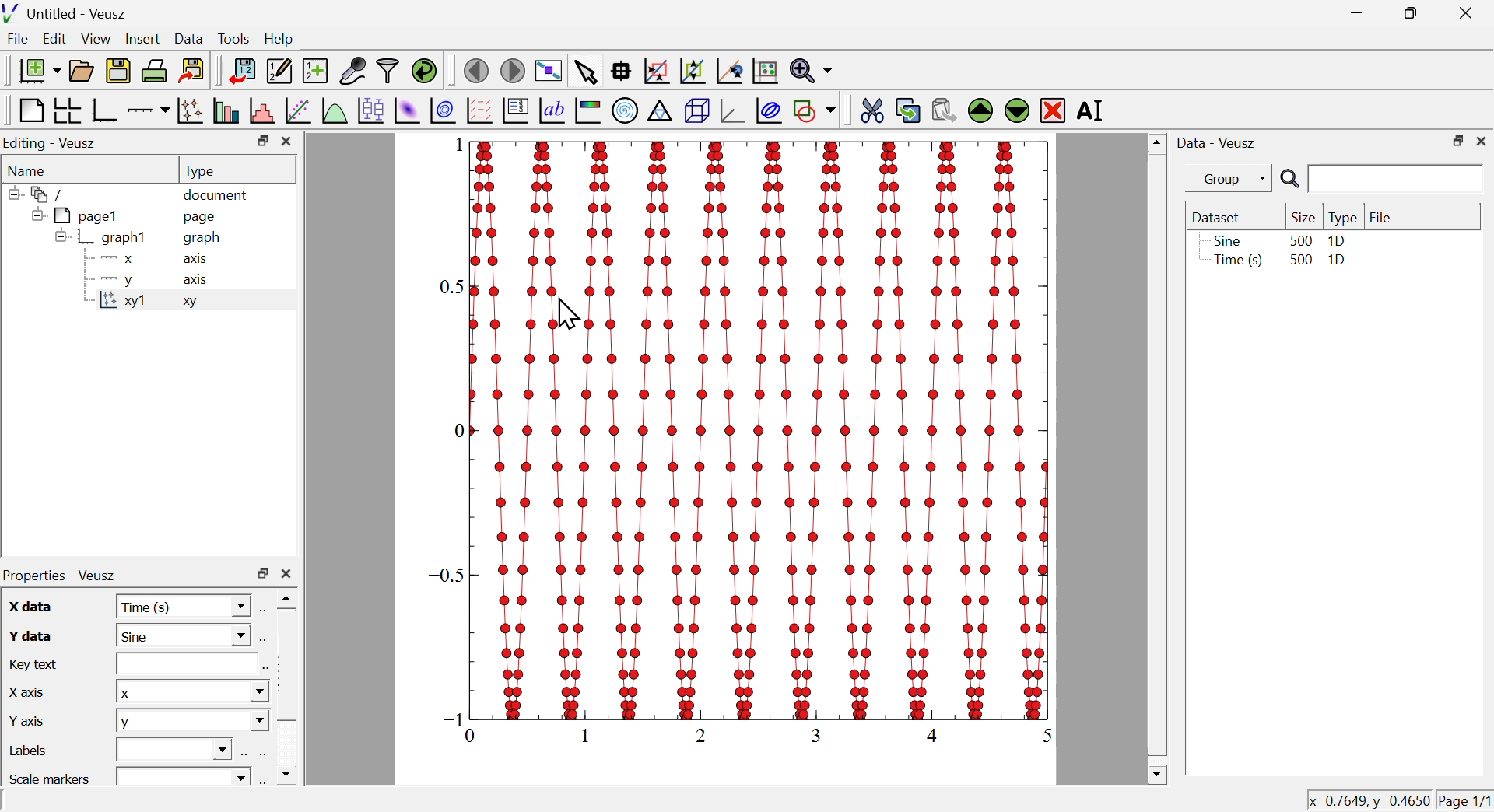 The width and height of the screenshot is (1494, 812). What do you see at coordinates (869, 109) in the screenshot?
I see `cut the selected widget` at bounding box center [869, 109].